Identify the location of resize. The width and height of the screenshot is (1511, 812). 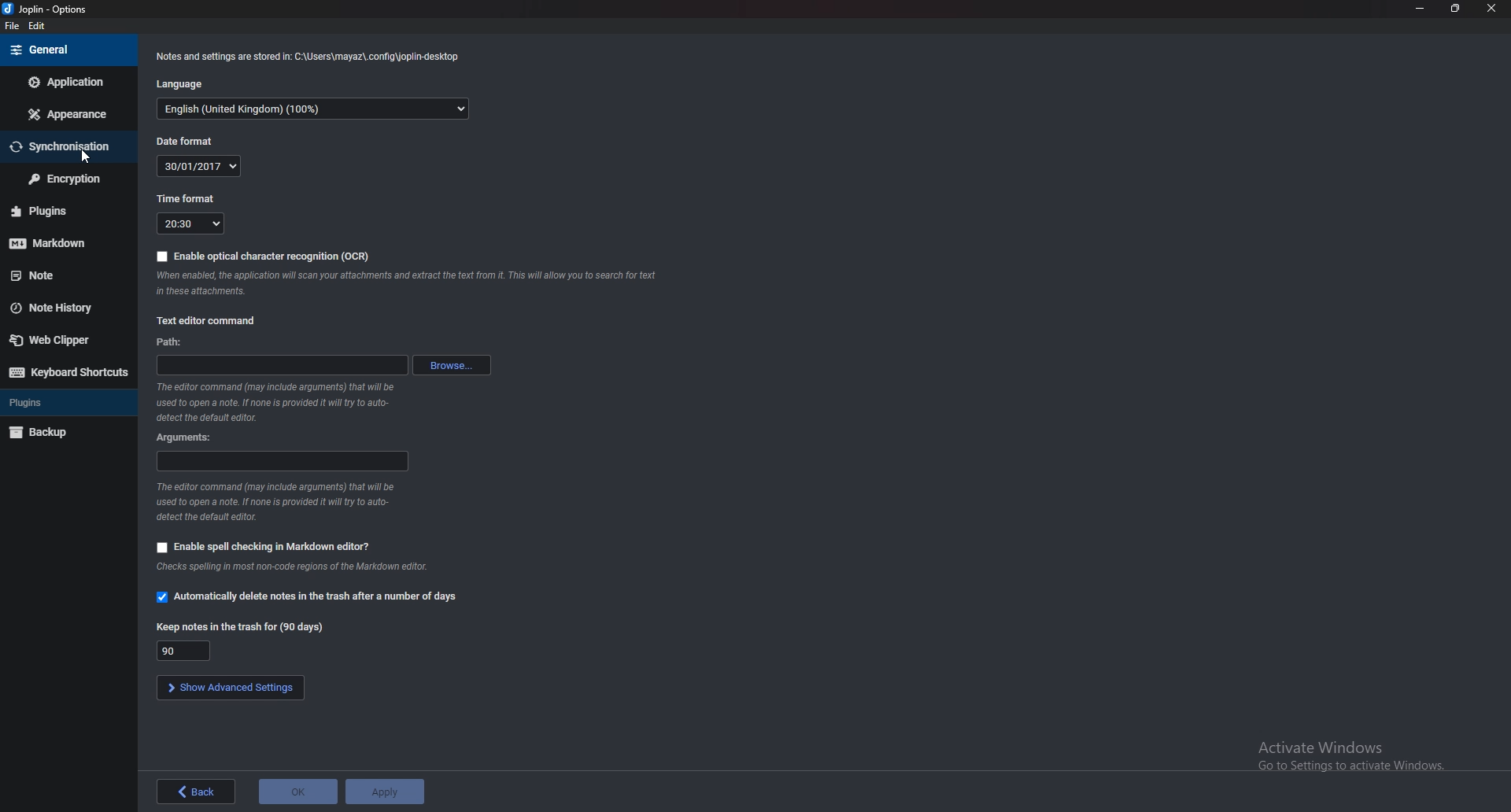
(1455, 8).